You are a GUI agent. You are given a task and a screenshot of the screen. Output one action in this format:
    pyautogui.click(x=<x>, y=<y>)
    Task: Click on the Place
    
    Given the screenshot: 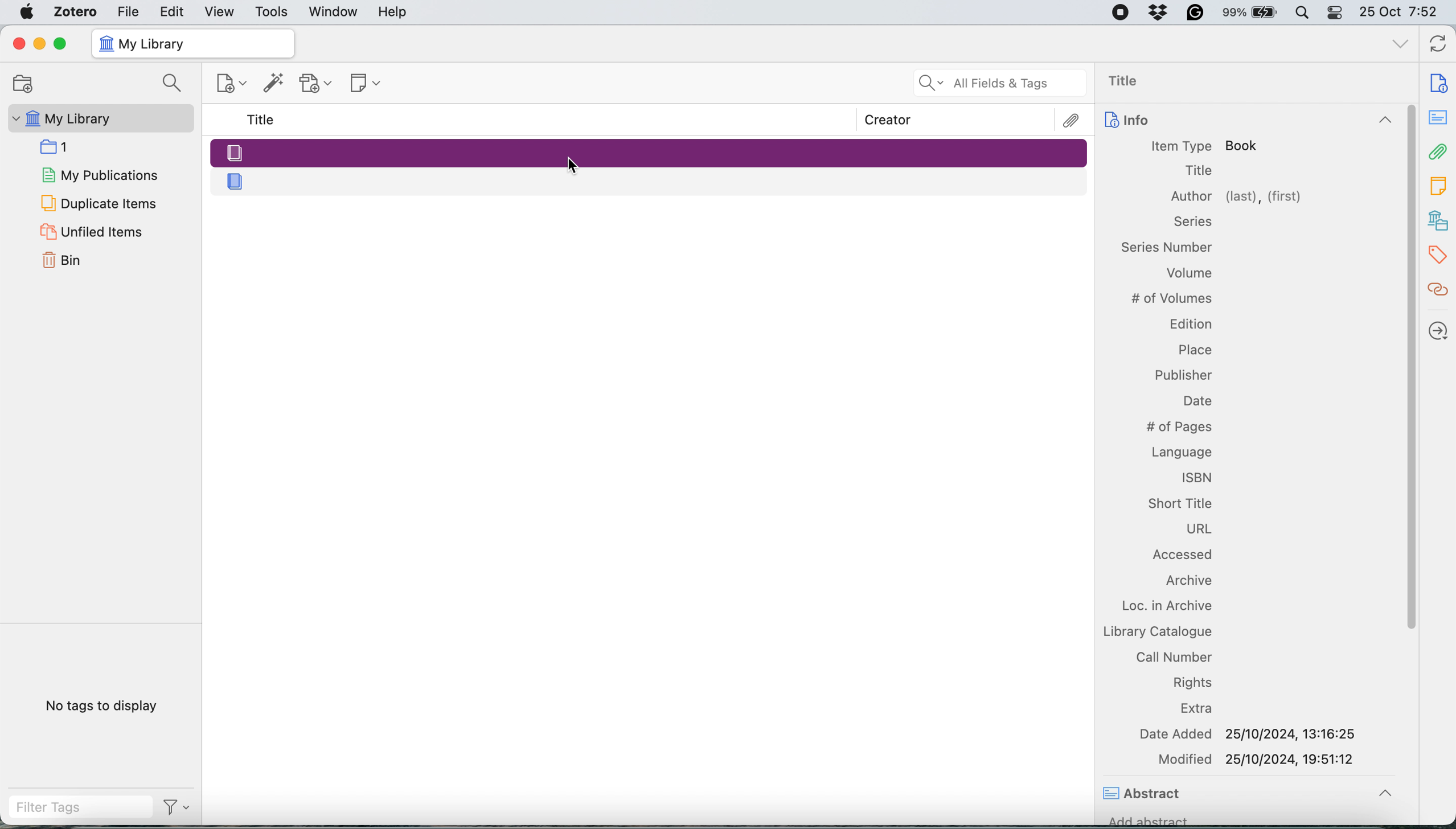 What is the action you would take?
    pyautogui.click(x=1195, y=347)
    